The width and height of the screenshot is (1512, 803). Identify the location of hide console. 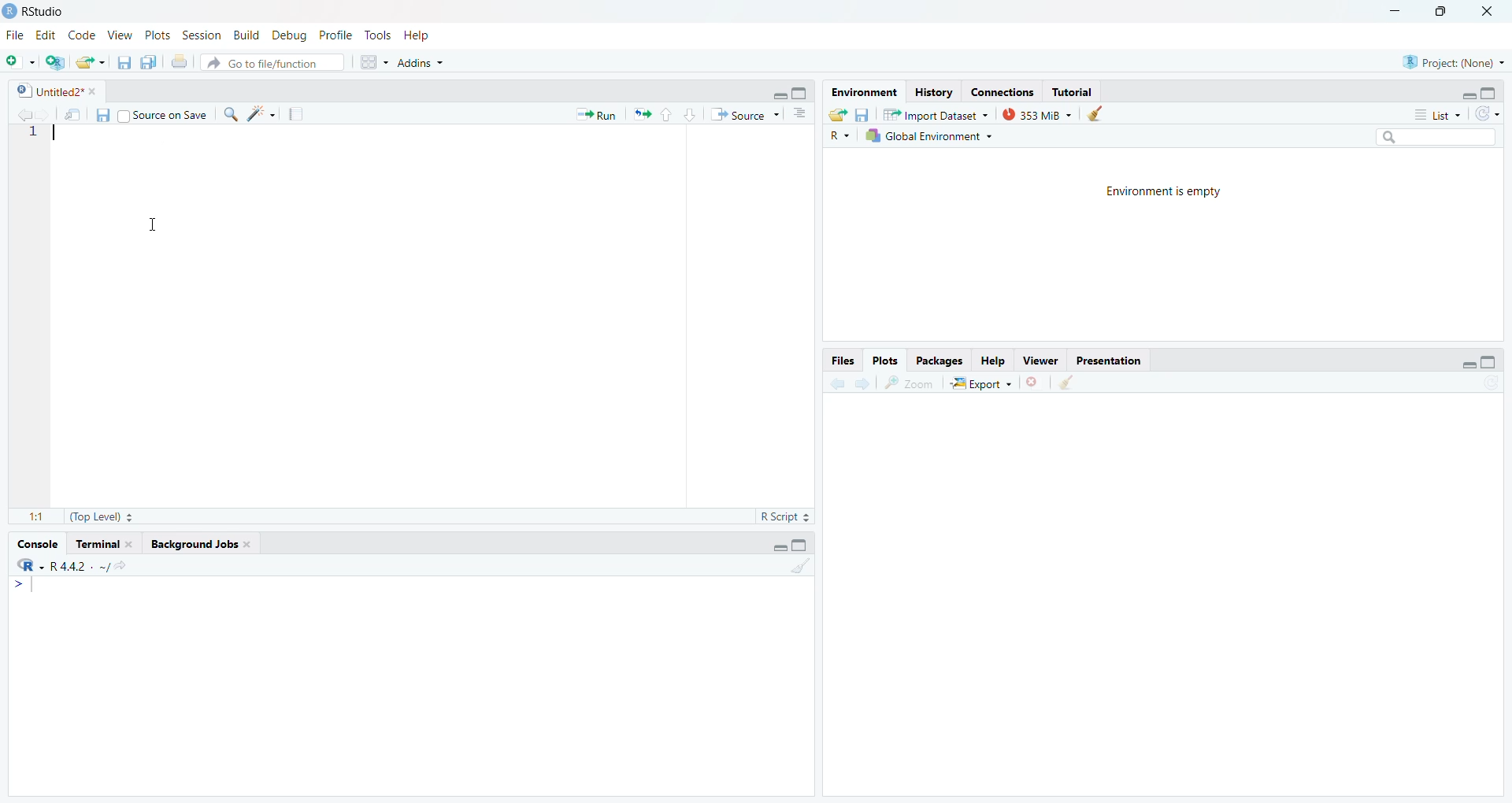
(805, 546).